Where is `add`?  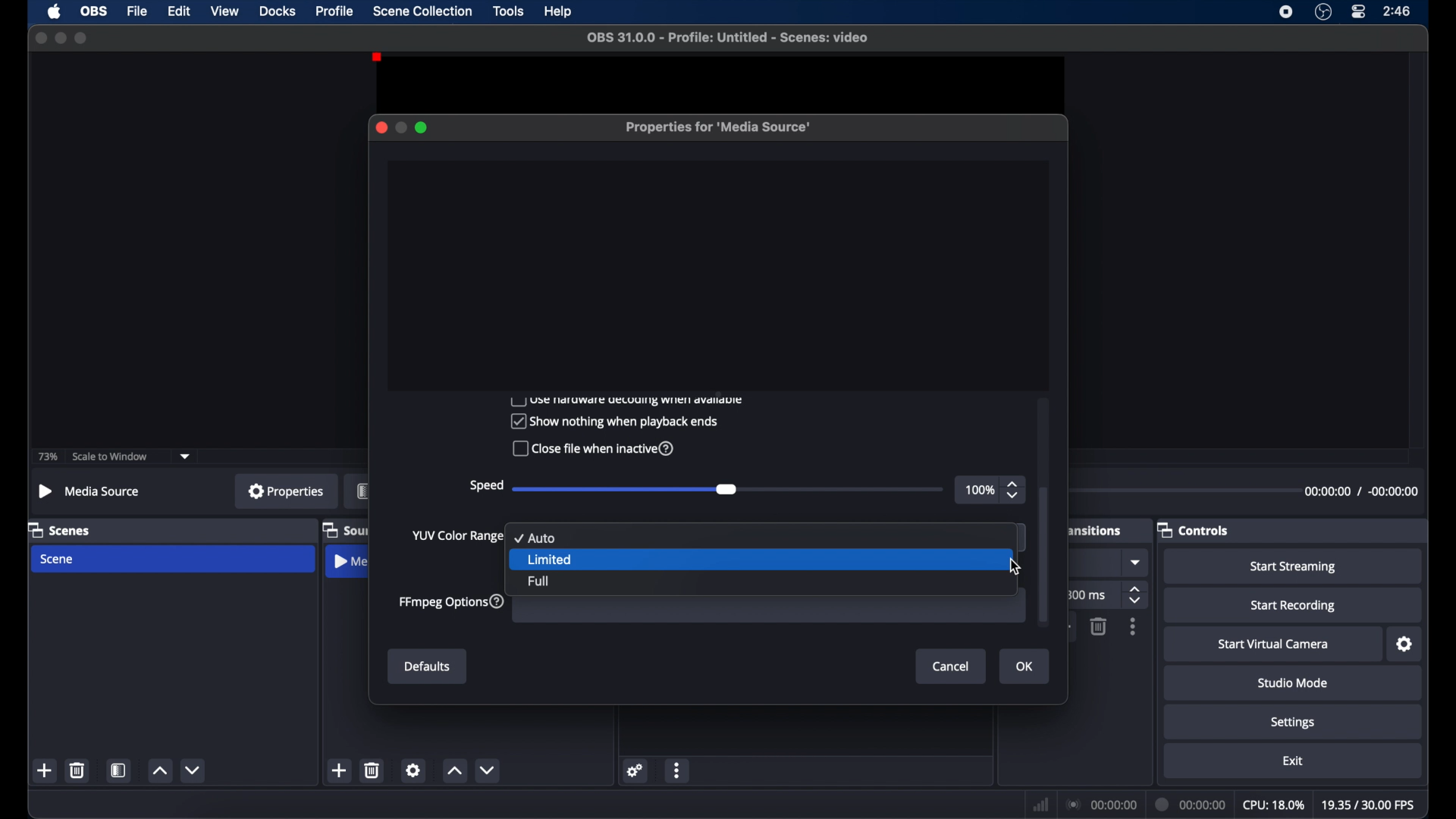 add is located at coordinates (45, 770).